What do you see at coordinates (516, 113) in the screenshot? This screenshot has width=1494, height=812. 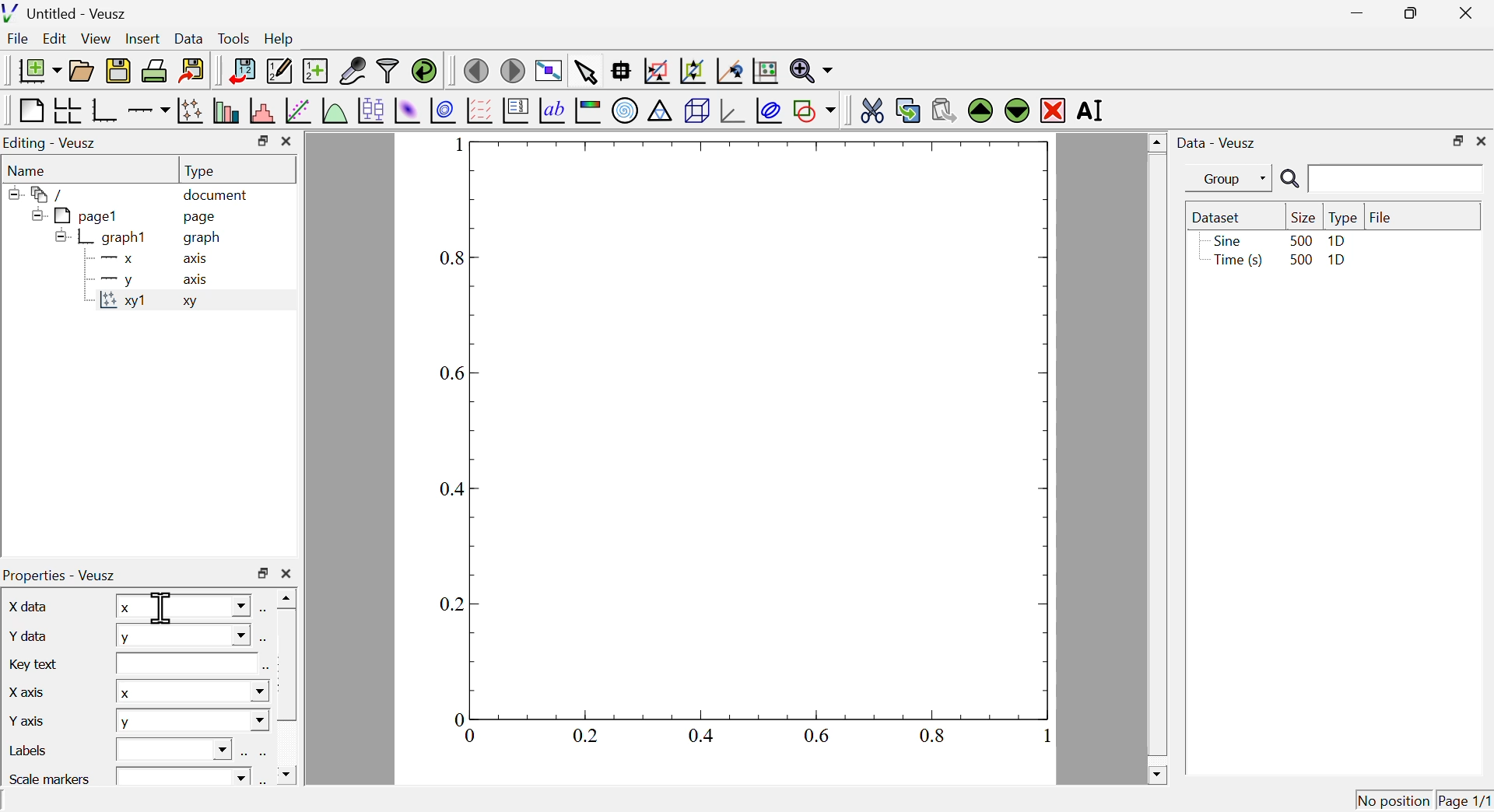 I see `plot key` at bounding box center [516, 113].